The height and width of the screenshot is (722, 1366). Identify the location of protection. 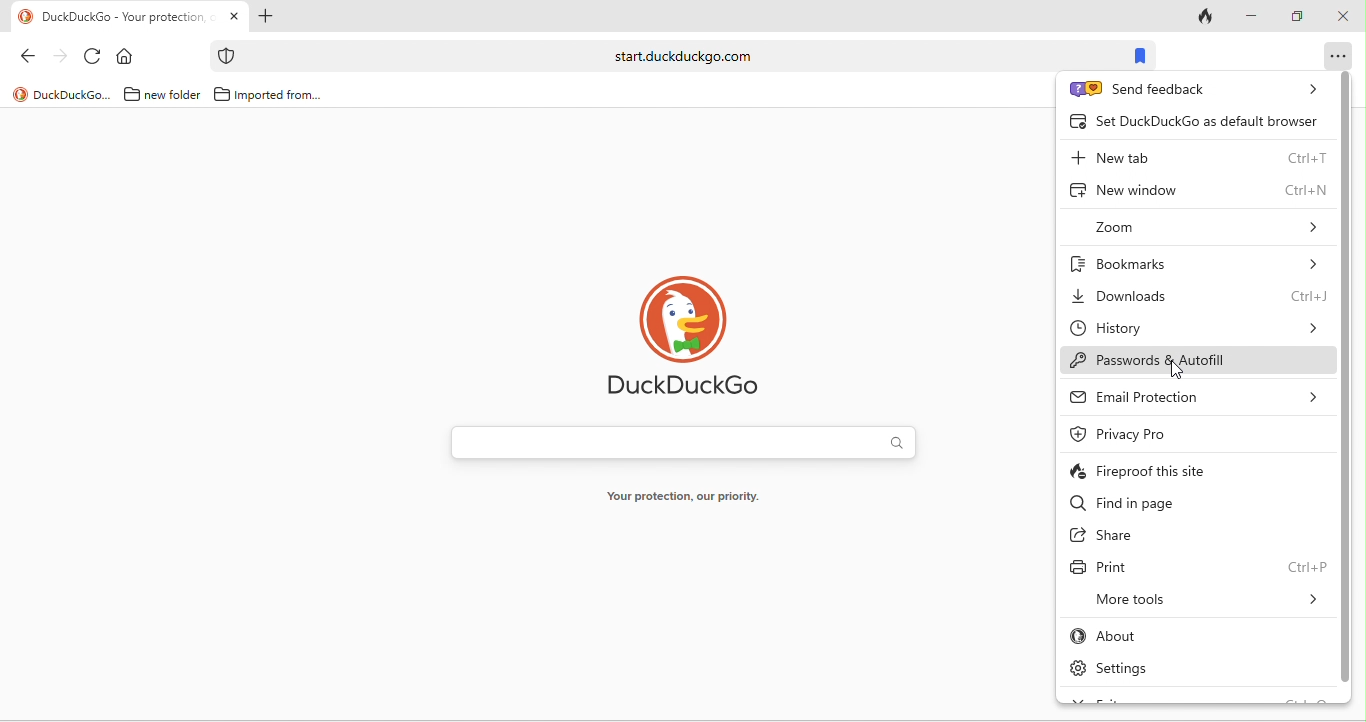
(225, 56).